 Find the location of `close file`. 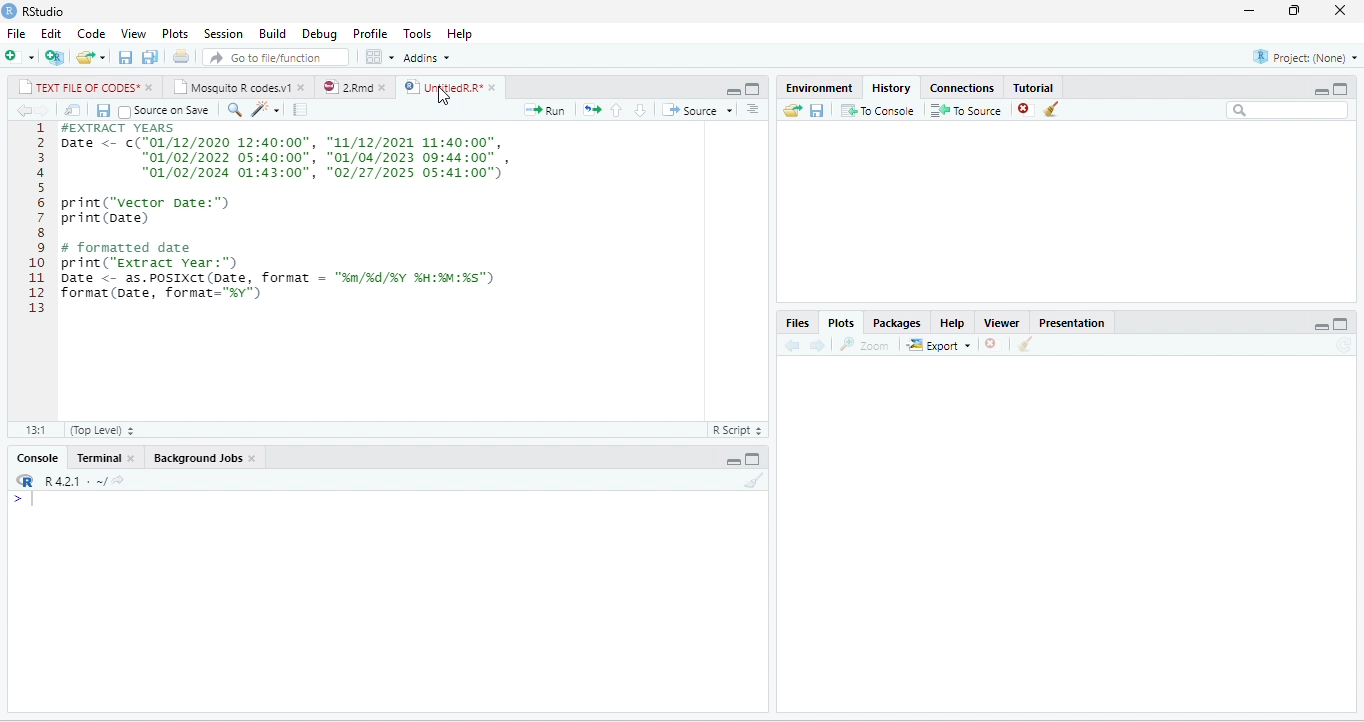

close file is located at coordinates (996, 344).